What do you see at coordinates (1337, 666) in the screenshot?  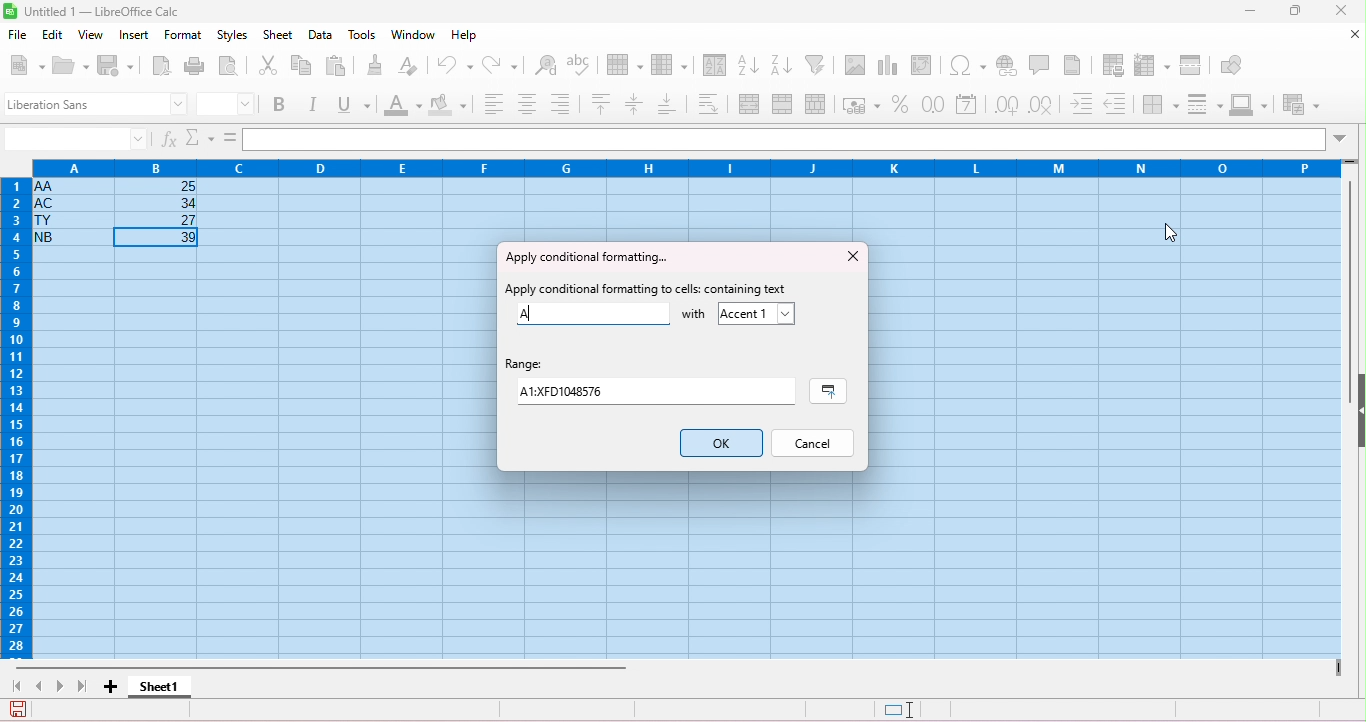 I see `drag to view next columns` at bounding box center [1337, 666].